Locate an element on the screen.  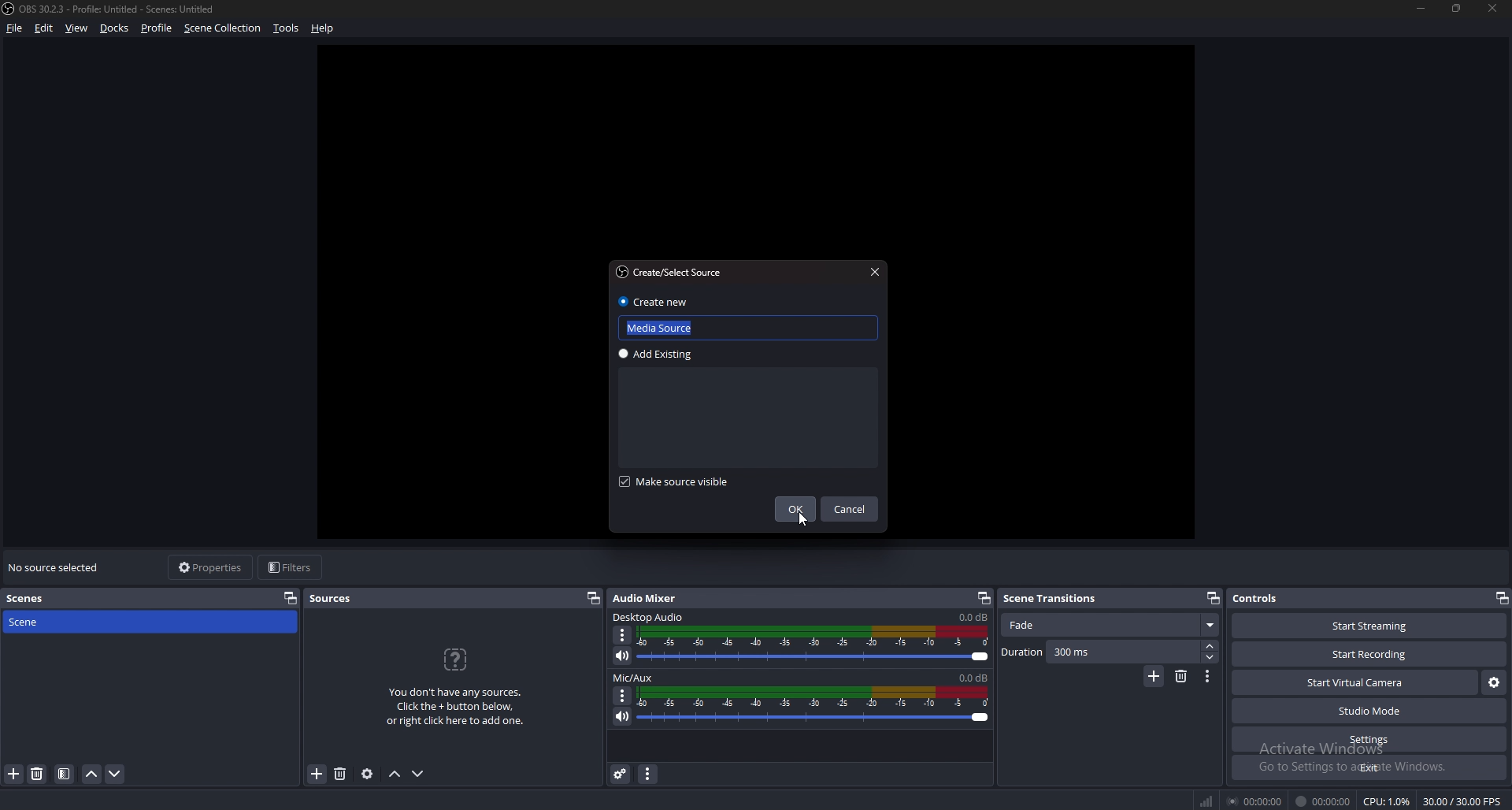
File is located at coordinates (17, 28).